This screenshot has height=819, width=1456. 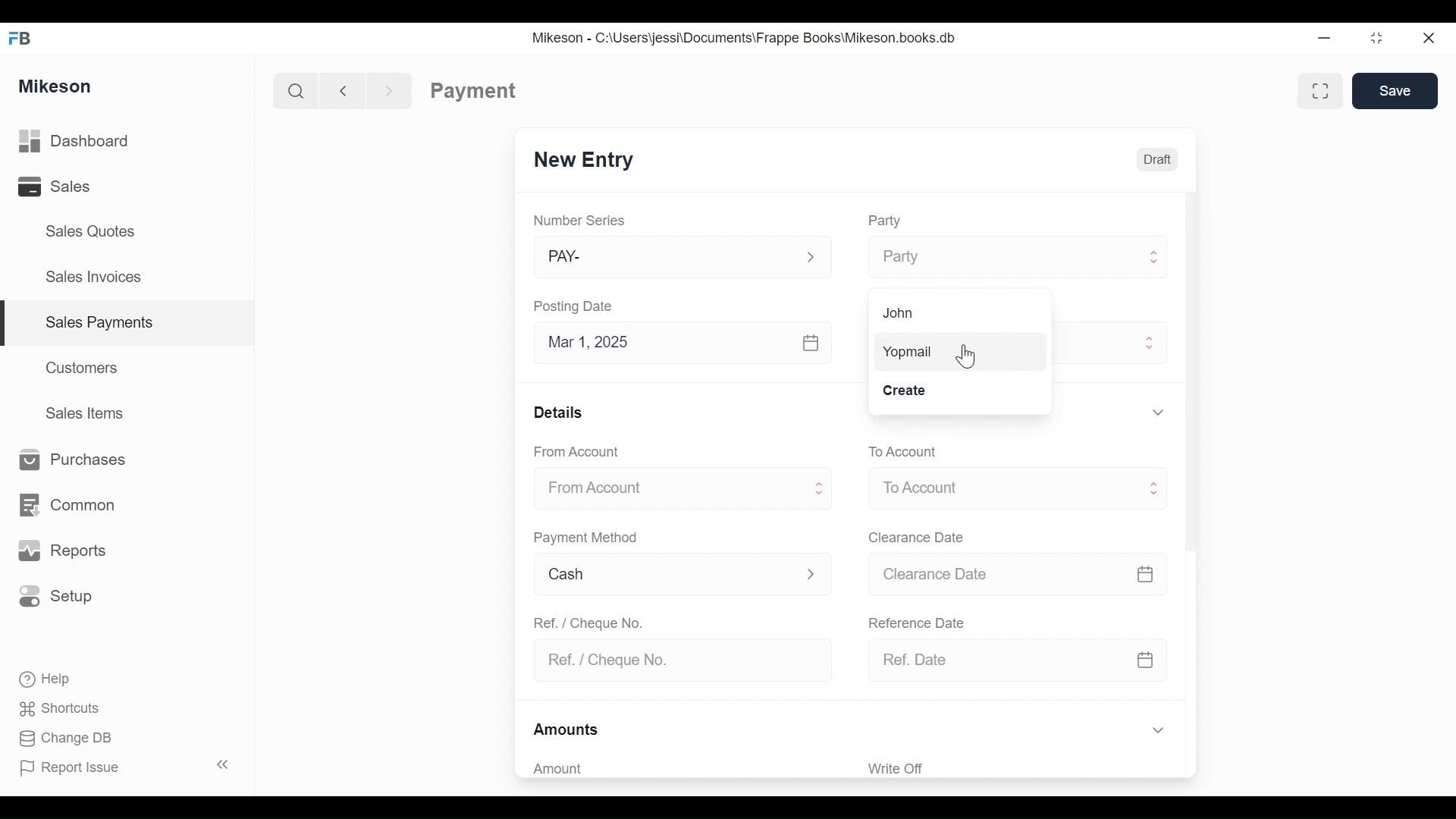 What do you see at coordinates (899, 312) in the screenshot?
I see `John` at bounding box center [899, 312].